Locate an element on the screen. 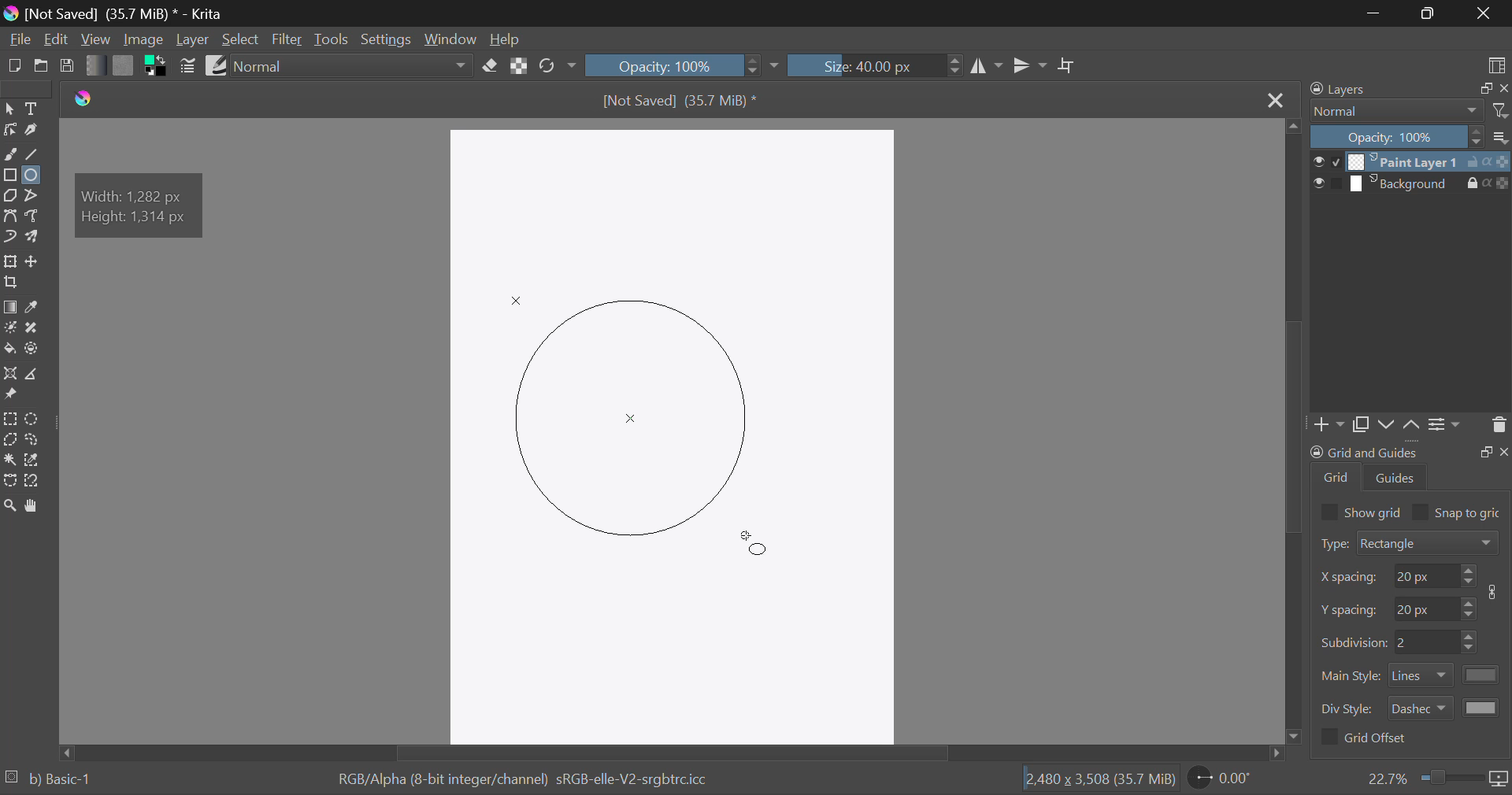 The height and width of the screenshot is (795, 1512). width: 1282 px is located at coordinates (136, 196).